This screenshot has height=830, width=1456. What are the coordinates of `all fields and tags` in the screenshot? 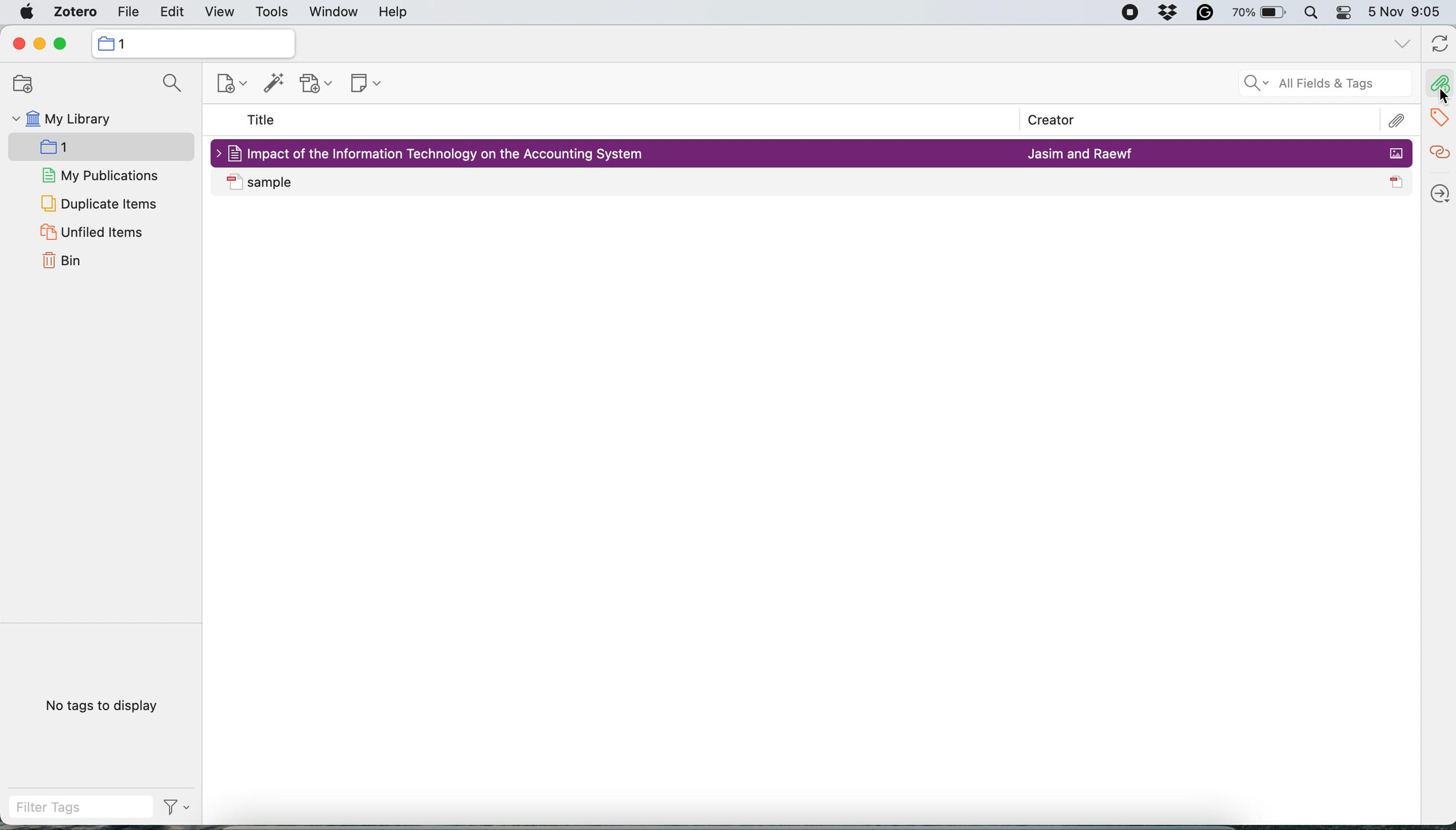 It's located at (1312, 84).